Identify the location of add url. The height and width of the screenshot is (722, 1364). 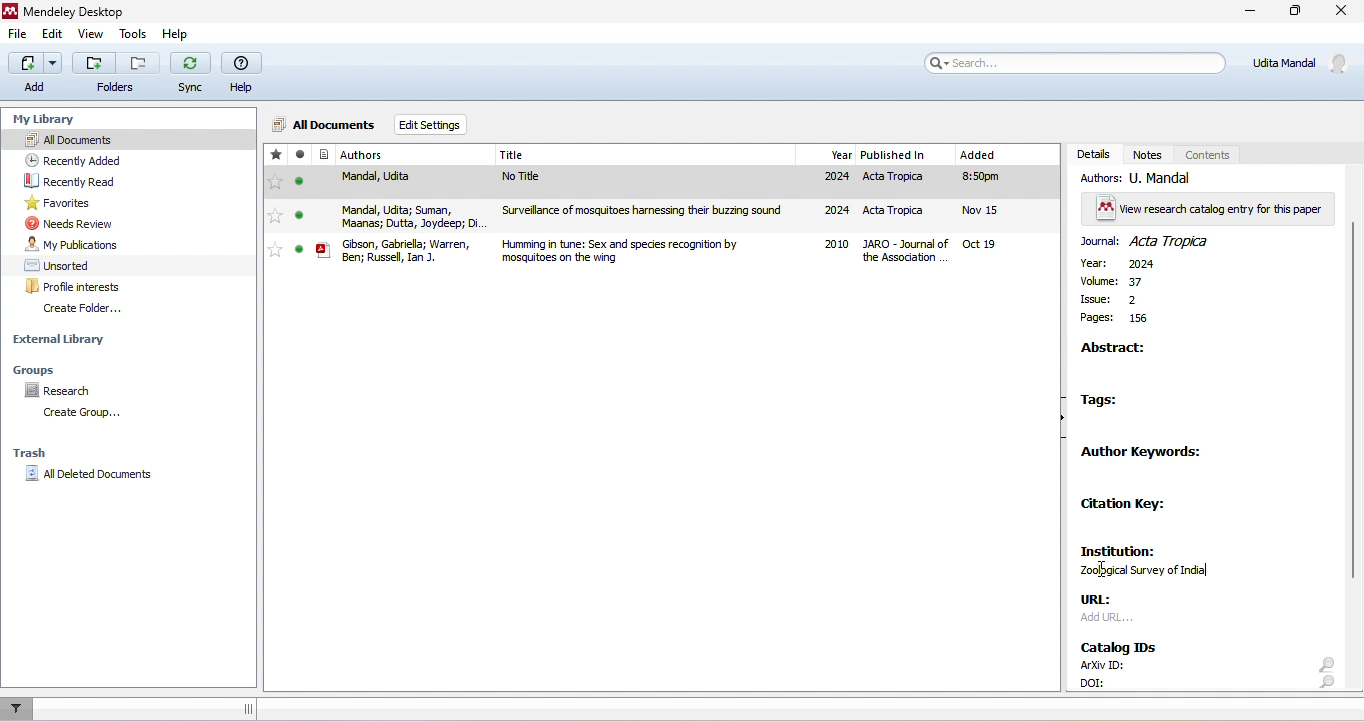
(1110, 622).